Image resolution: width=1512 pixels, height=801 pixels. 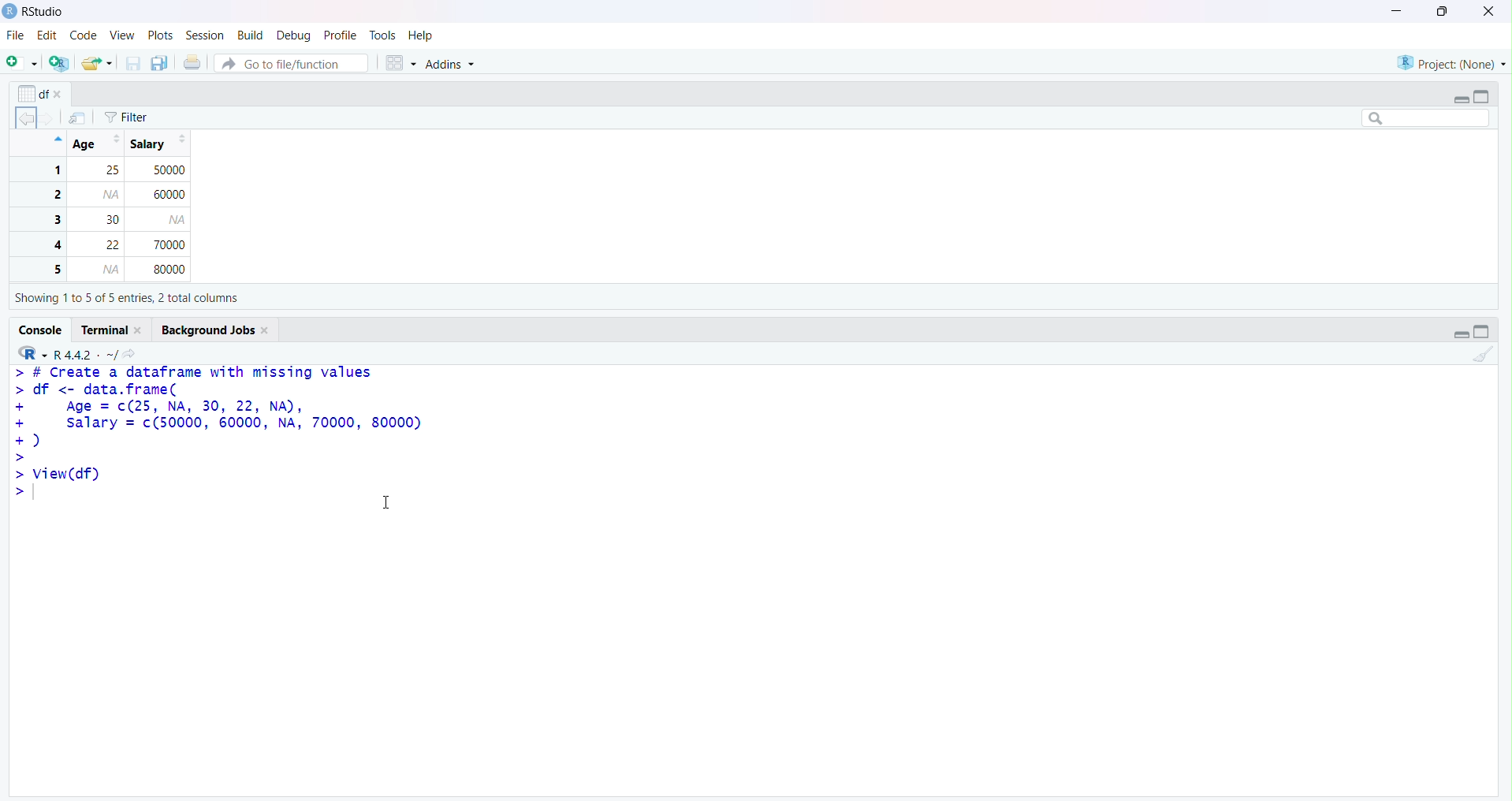 I want to click on Save all open documents (Ctrl + Alt + S), so click(x=159, y=61).